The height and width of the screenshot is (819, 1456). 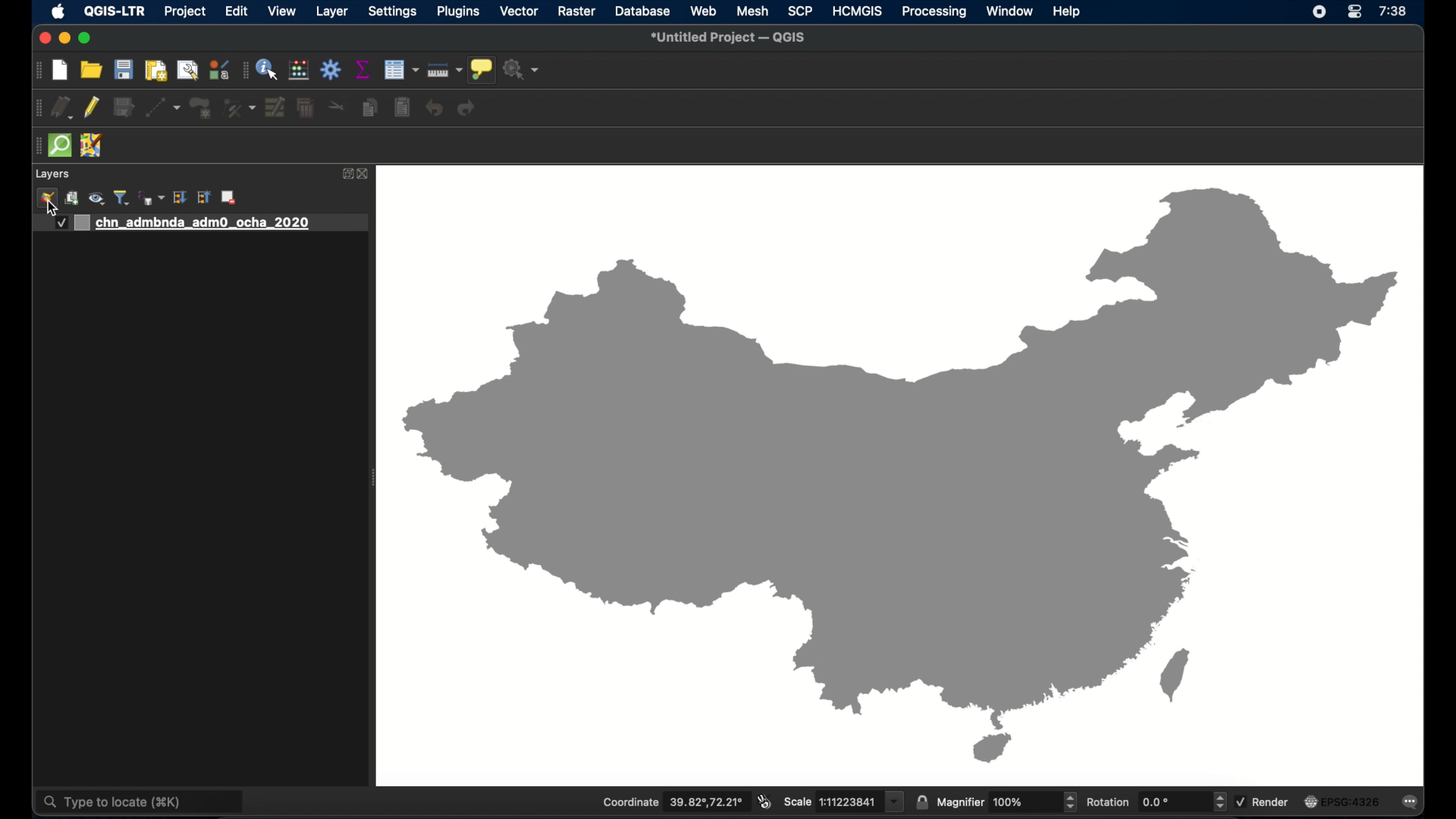 I want to click on show statistical summary, so click(x=365, y=69).